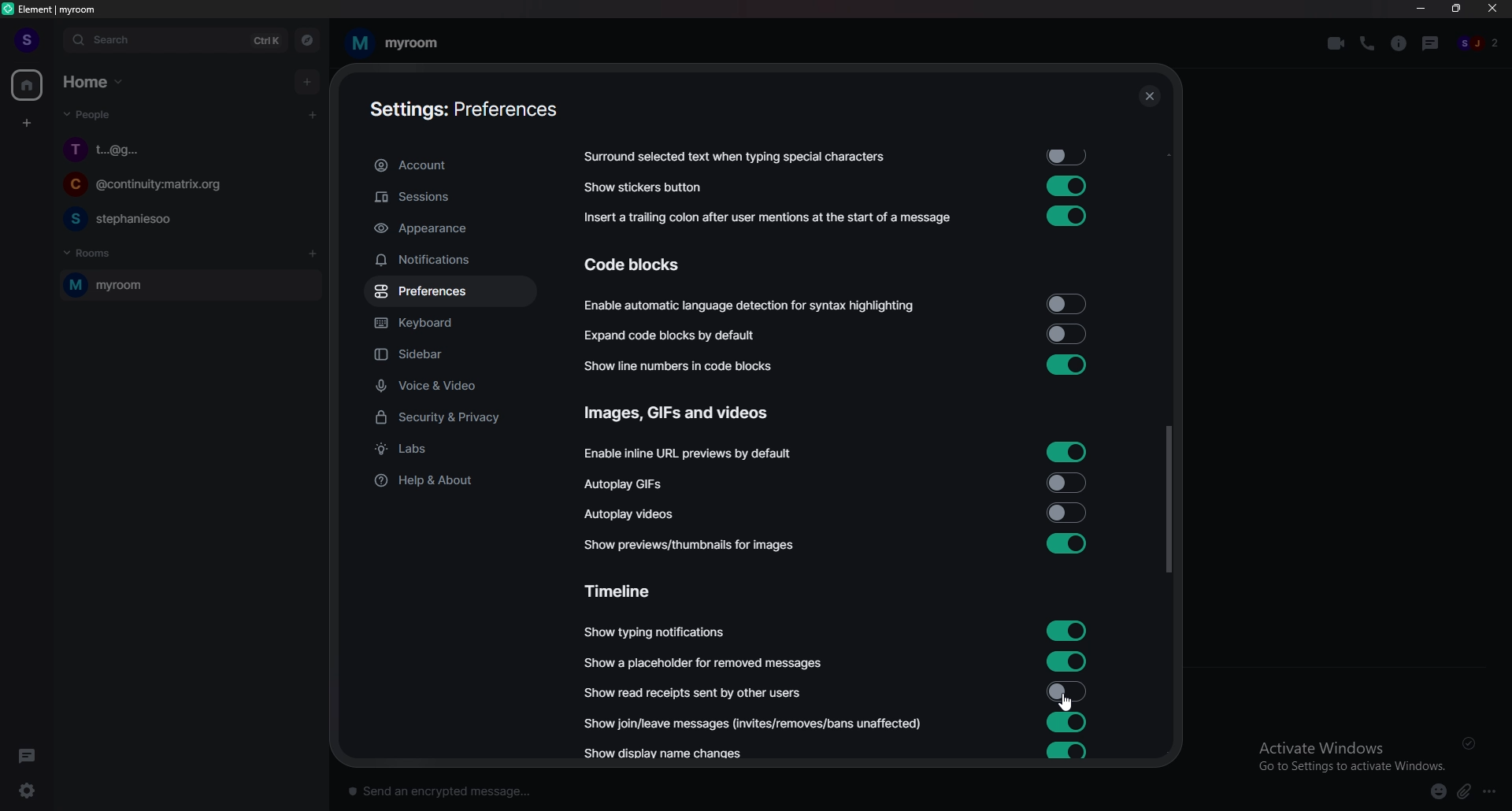  What do you see at coordinates (393, 43) in the screenshot?
I see `room` at bounding box center [393, 43].